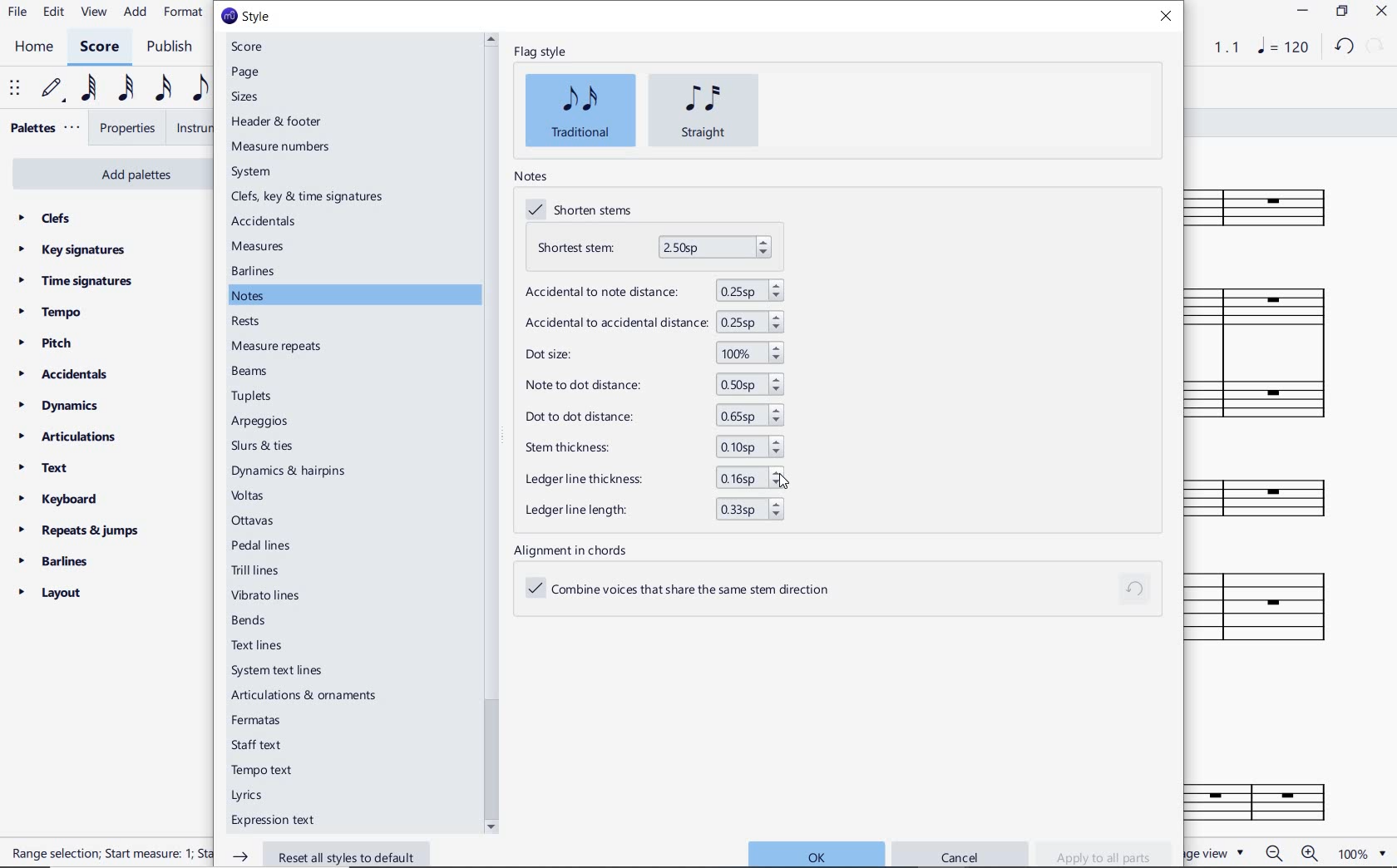 Image resolution: width=1397 pixels, height=868 pixels. What do you see at coordinates (290, 671) in the screenshot?
I see `system text lines` at bounding box center [290, 671].